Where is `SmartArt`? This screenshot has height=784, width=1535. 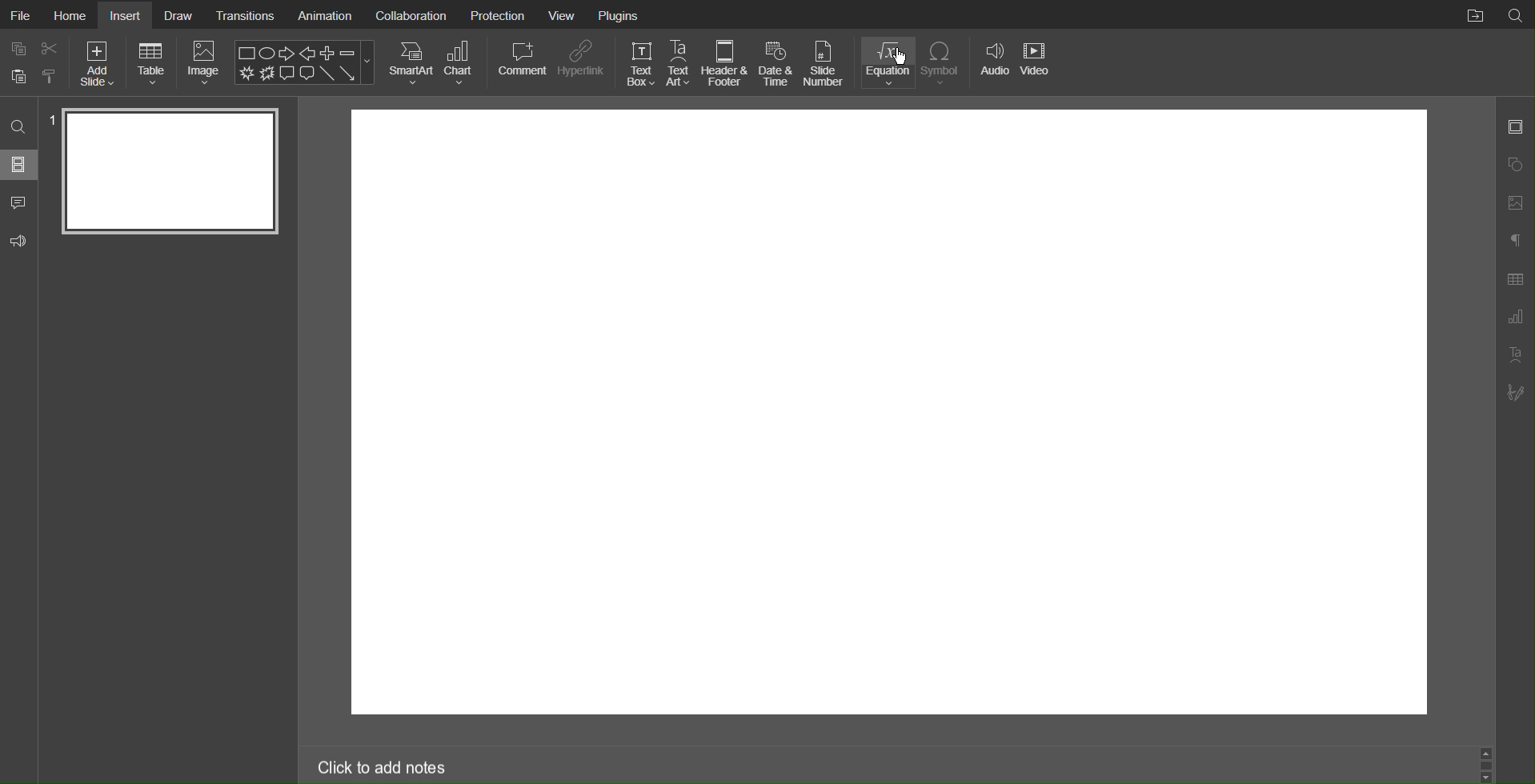
SmartArt is located at coordinates (412, 62).